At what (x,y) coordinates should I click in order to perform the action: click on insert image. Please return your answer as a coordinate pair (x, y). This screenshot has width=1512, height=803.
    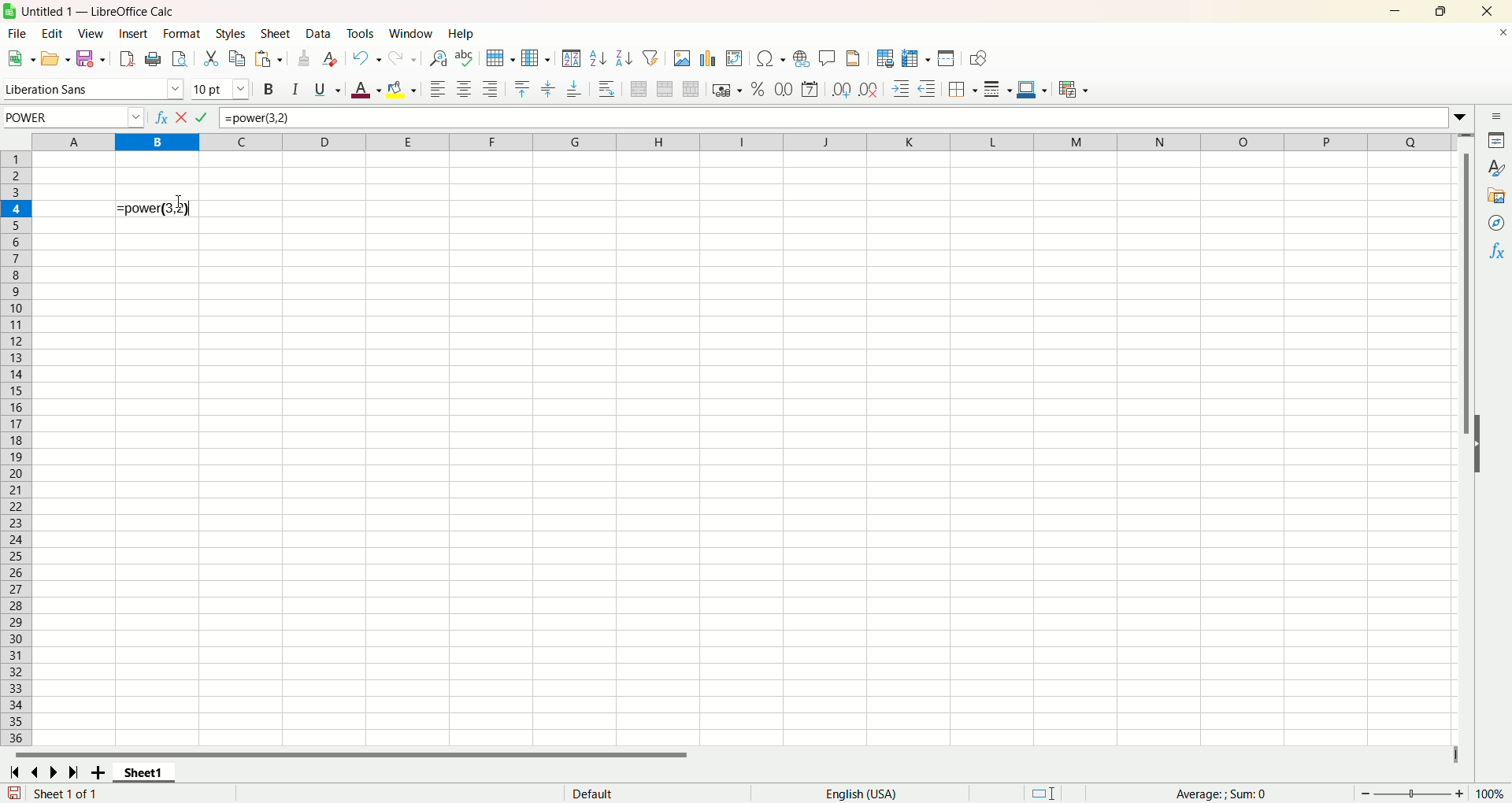
    Looking at the image, I should click on (735, 60).